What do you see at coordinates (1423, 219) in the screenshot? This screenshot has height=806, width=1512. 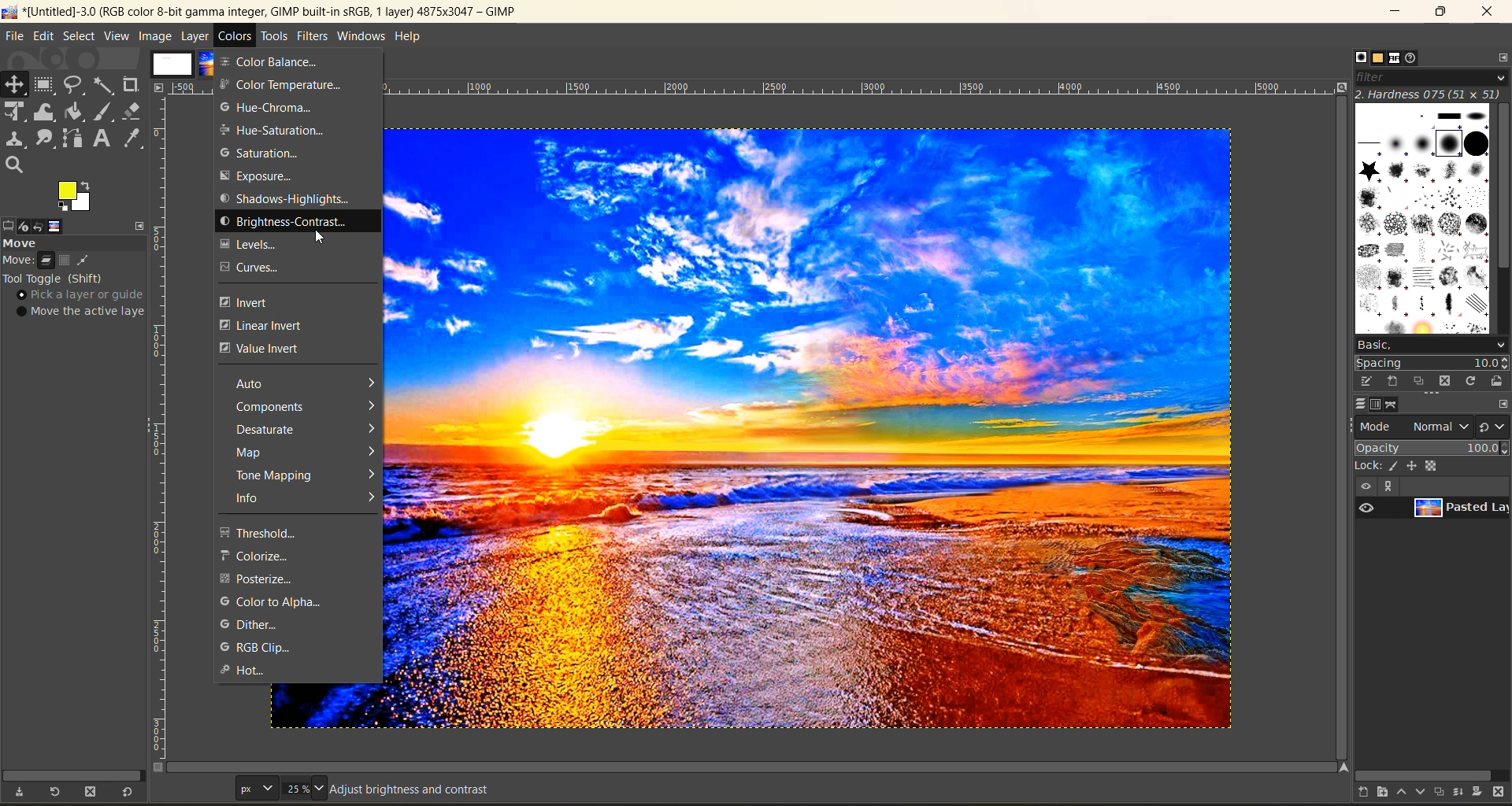 I see `brushes` at bounding box center [1423, 219].